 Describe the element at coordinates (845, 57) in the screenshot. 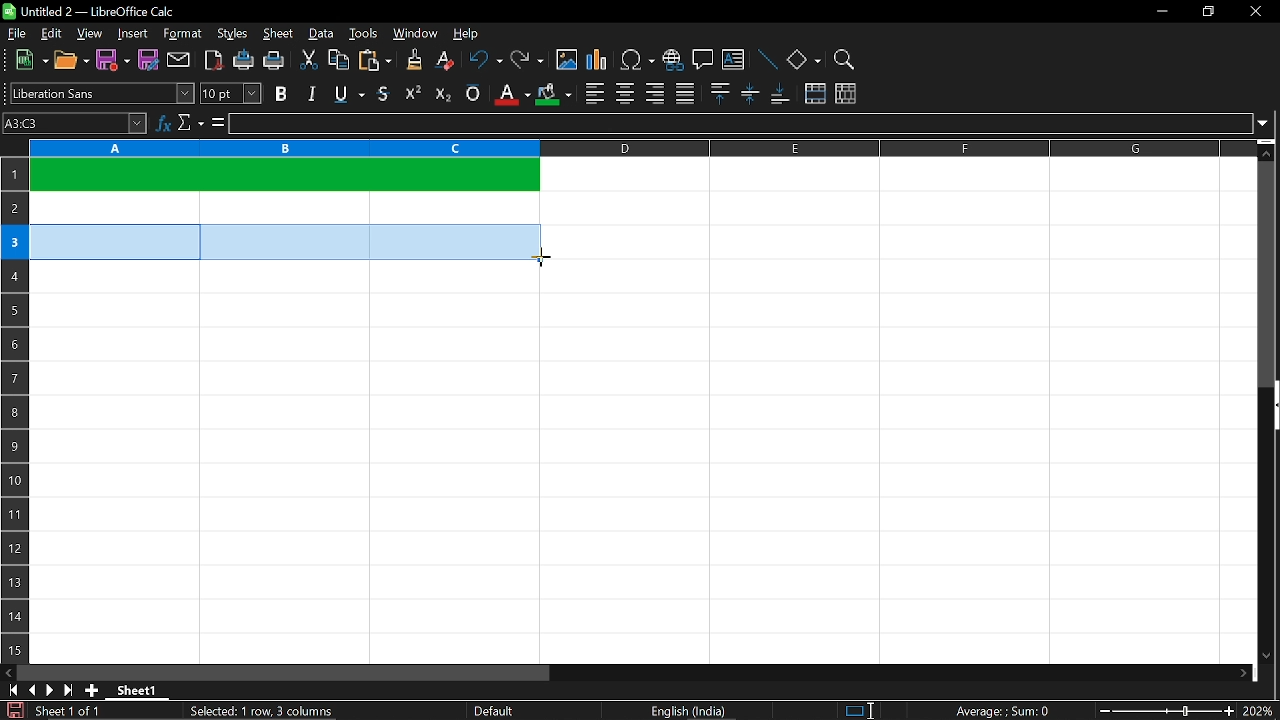

I see `zoom` at that location.